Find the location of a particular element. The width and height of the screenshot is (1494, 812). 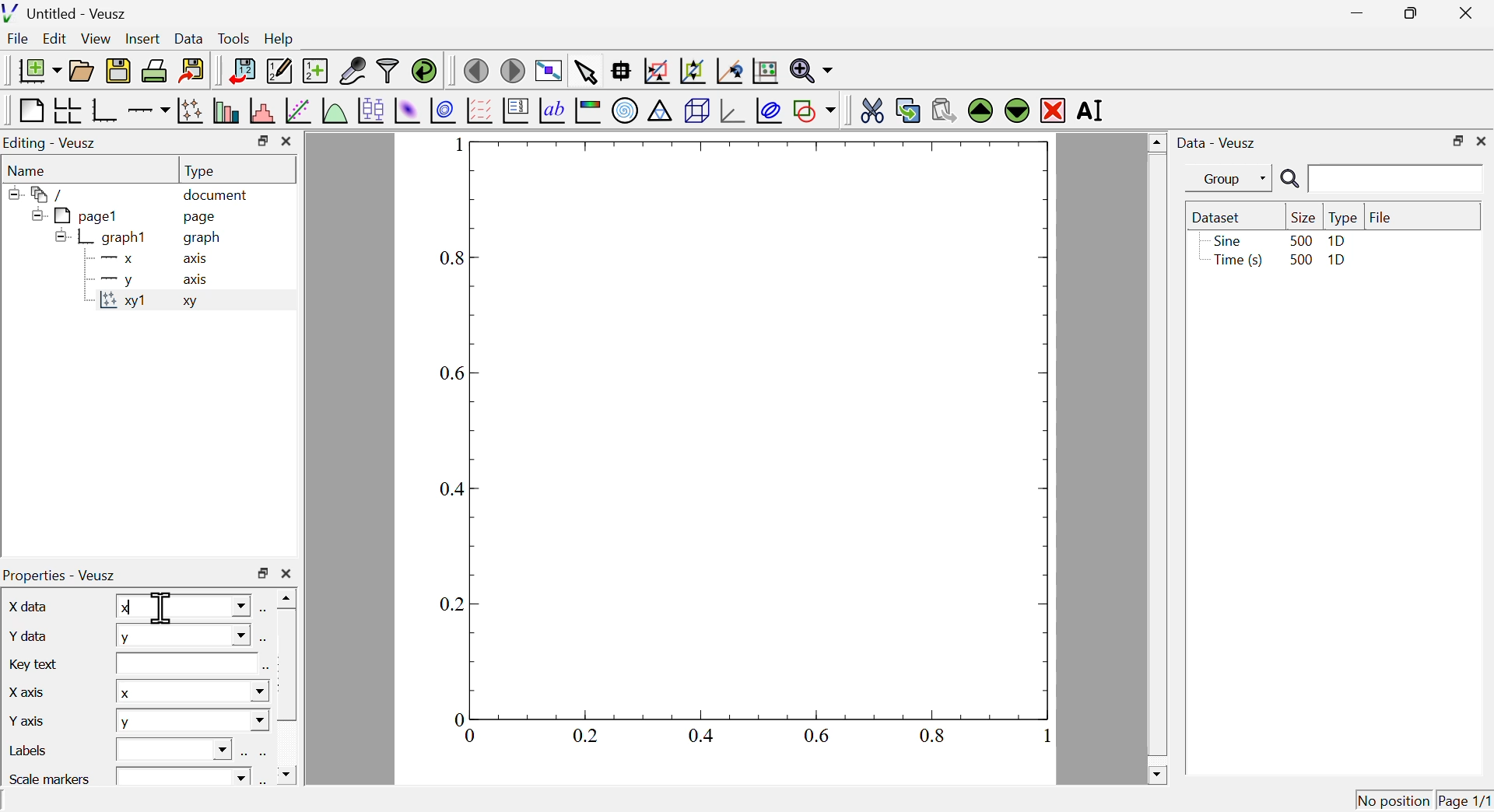

read data points on the graph is located at coordinates (622, 72).